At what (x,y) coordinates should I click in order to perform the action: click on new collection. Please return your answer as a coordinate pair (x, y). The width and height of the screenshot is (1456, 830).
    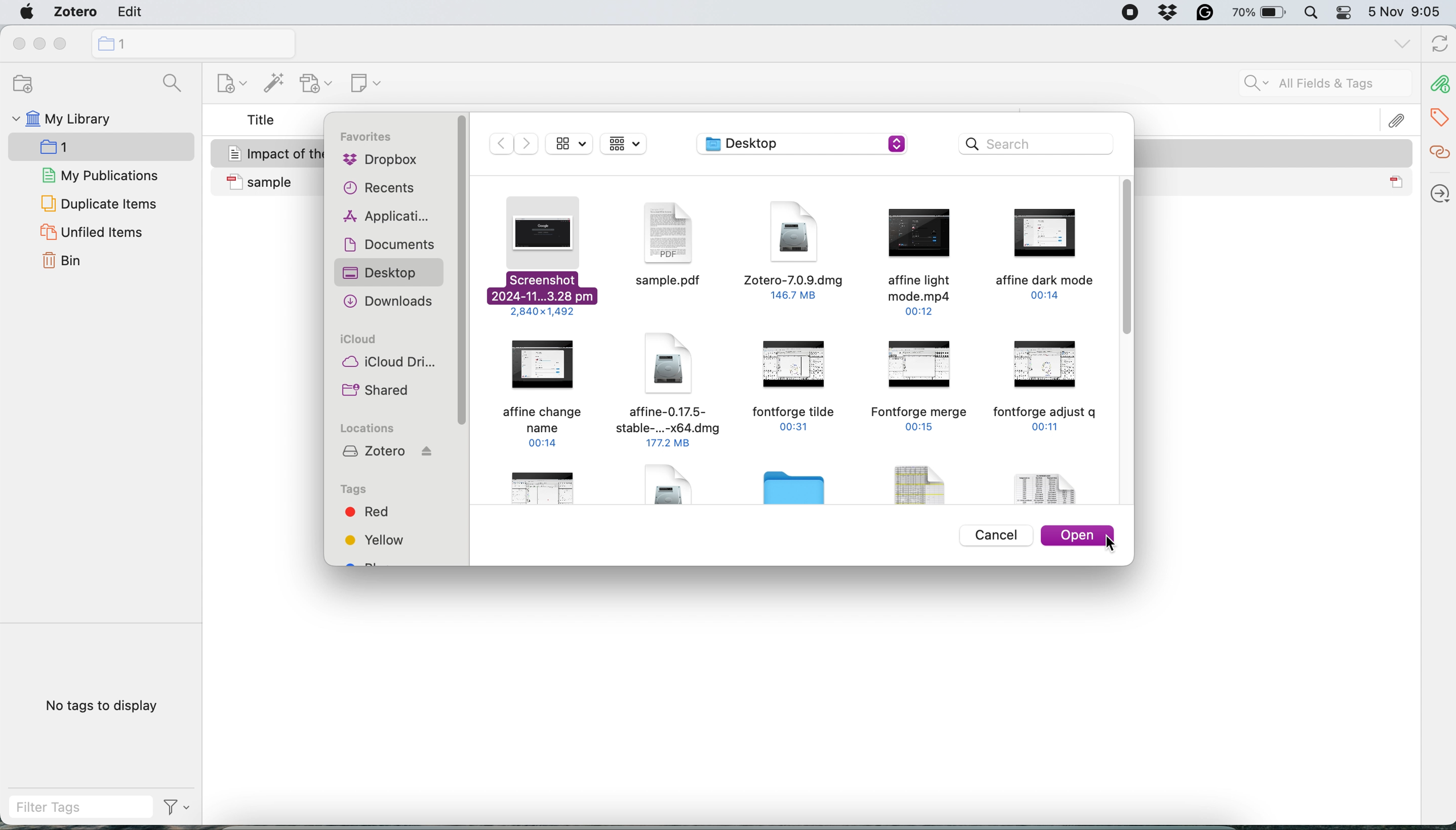
    Looking at the image, I should click on (223, 86).